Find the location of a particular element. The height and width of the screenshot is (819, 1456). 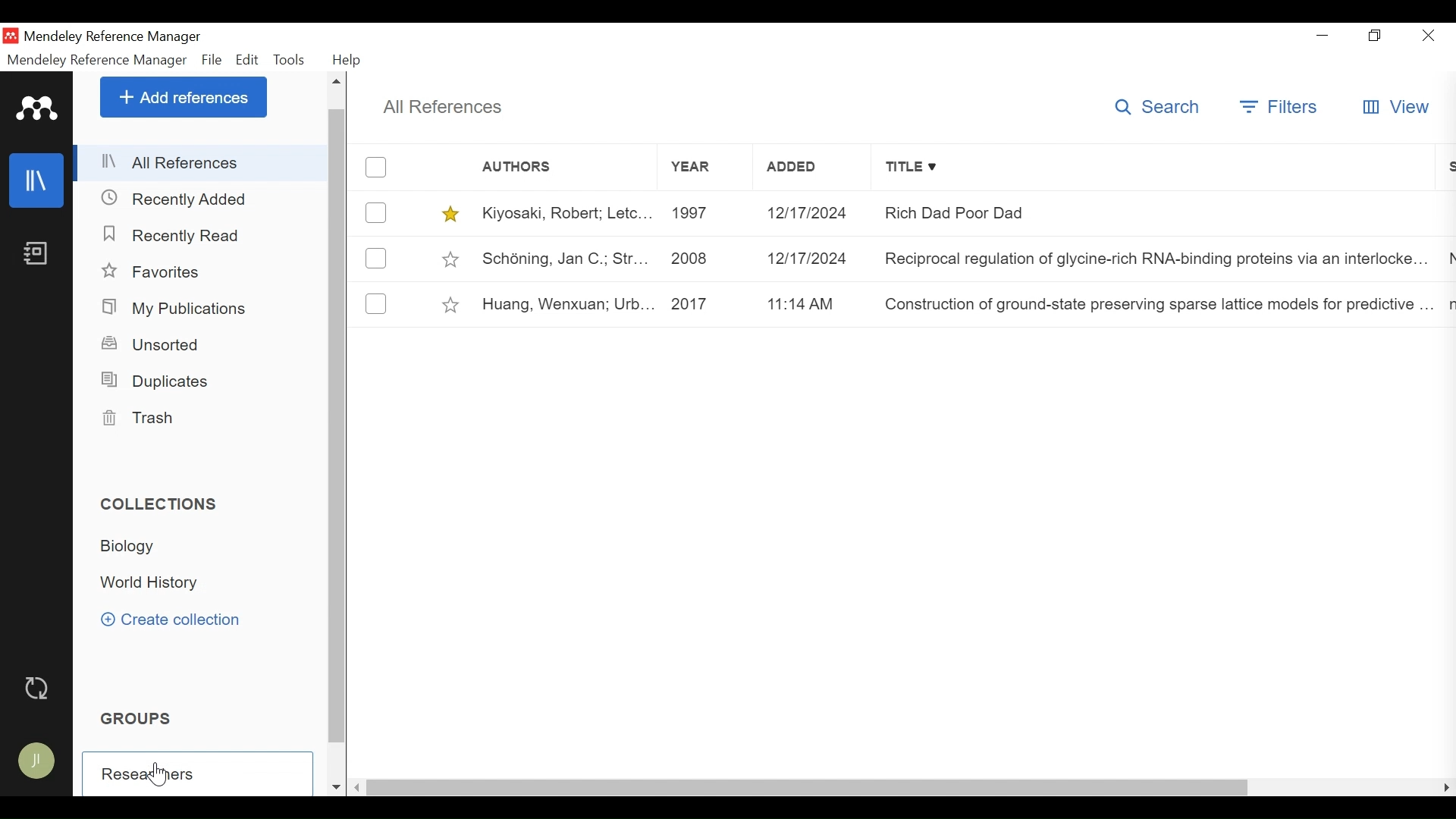

Title is located at coordinates (1156, 168).